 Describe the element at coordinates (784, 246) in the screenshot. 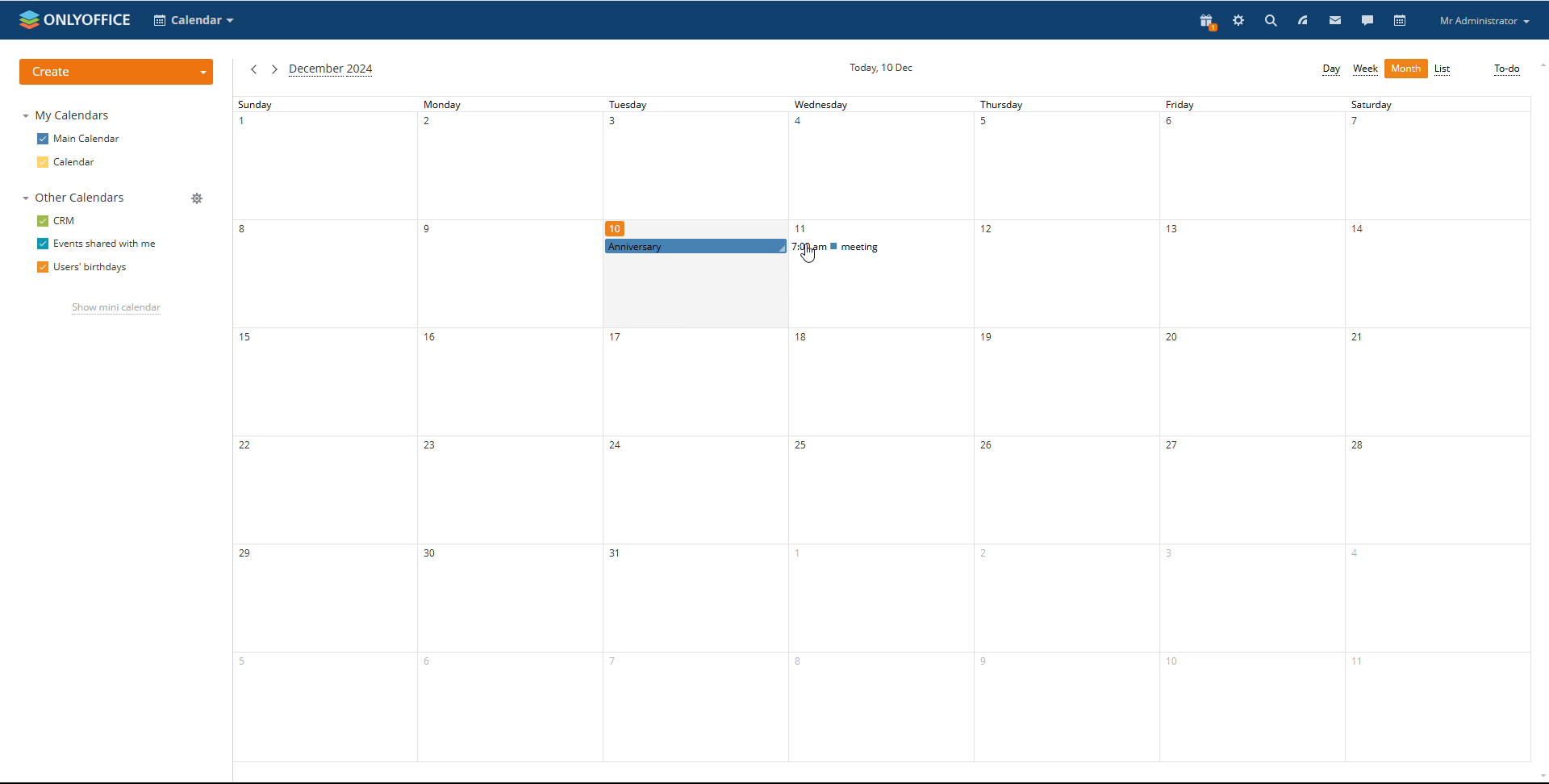

I see `scheduled events` at that location.